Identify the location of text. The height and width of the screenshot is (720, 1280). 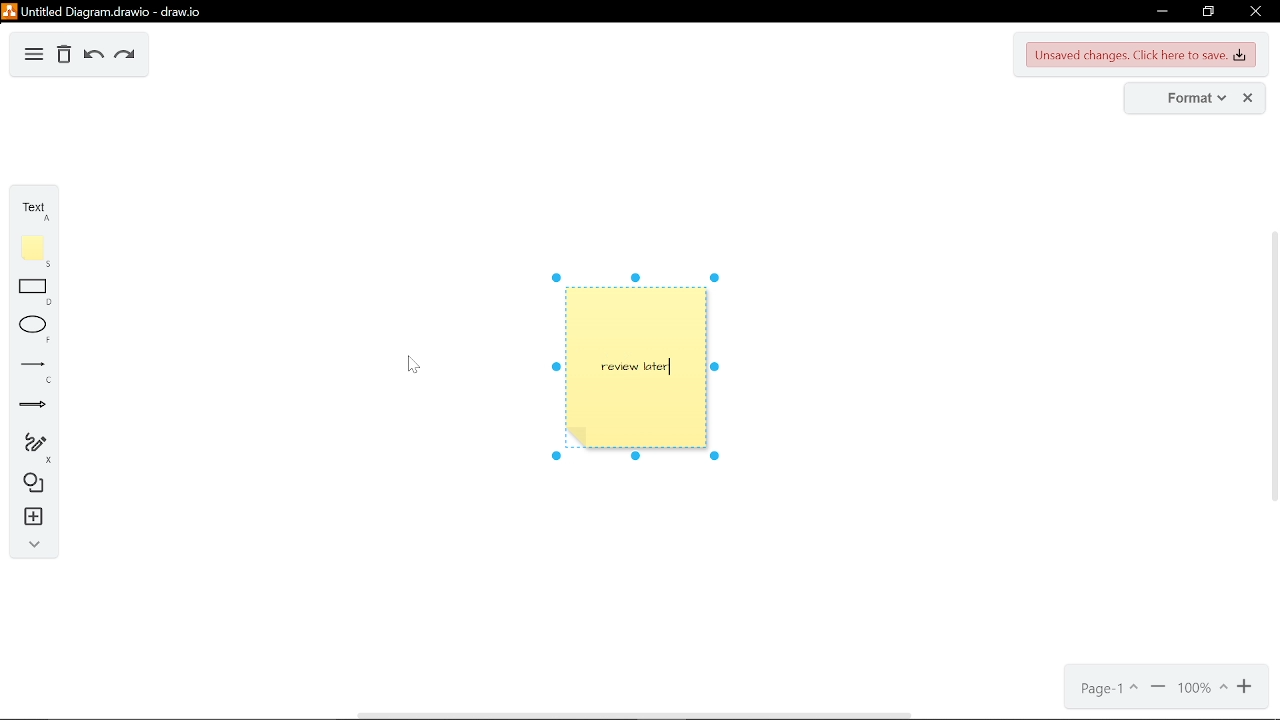
(33, 210).